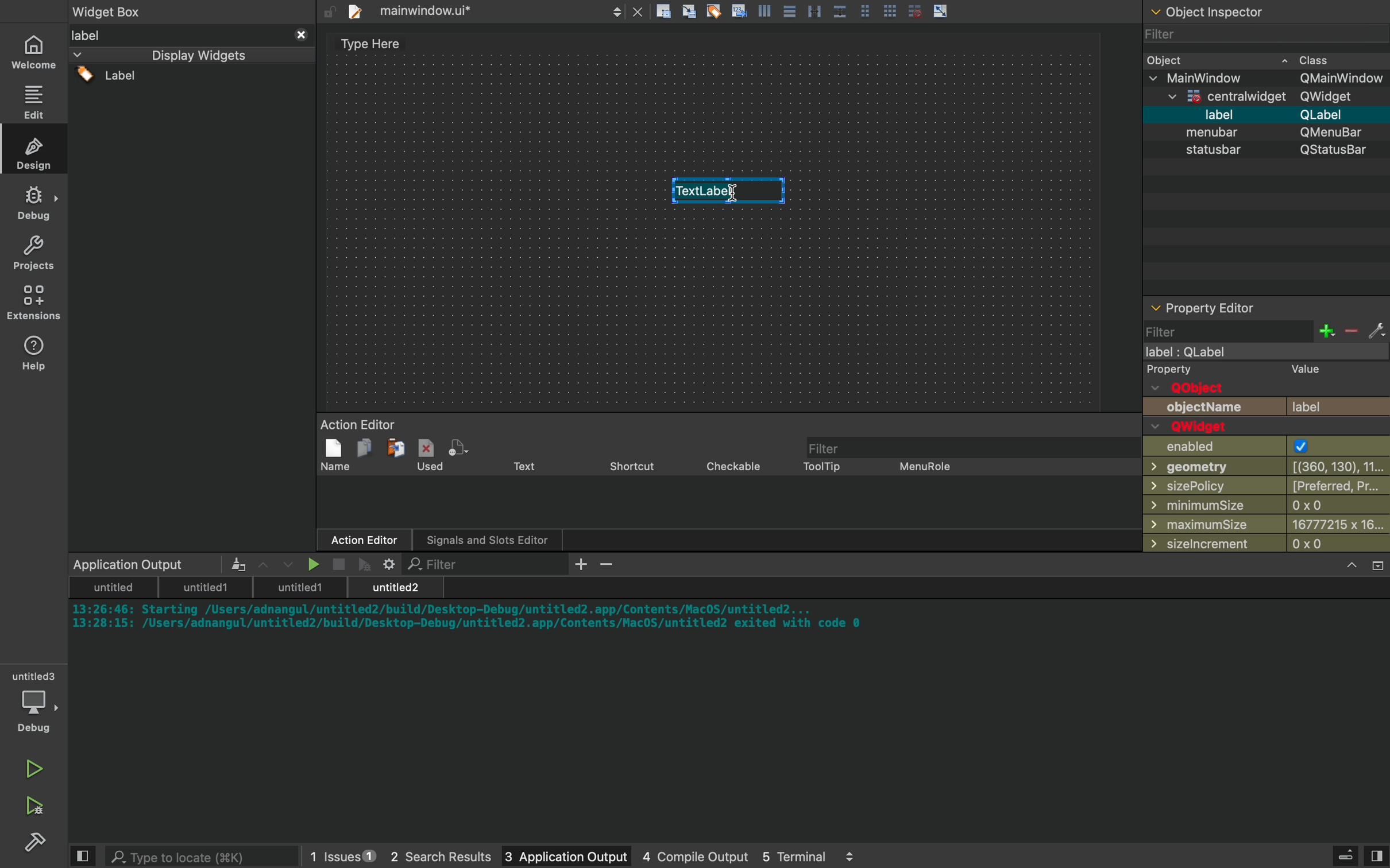 The width and height of the screenshot is (1390, 868). I want to click on action editor , so click(724, 486).